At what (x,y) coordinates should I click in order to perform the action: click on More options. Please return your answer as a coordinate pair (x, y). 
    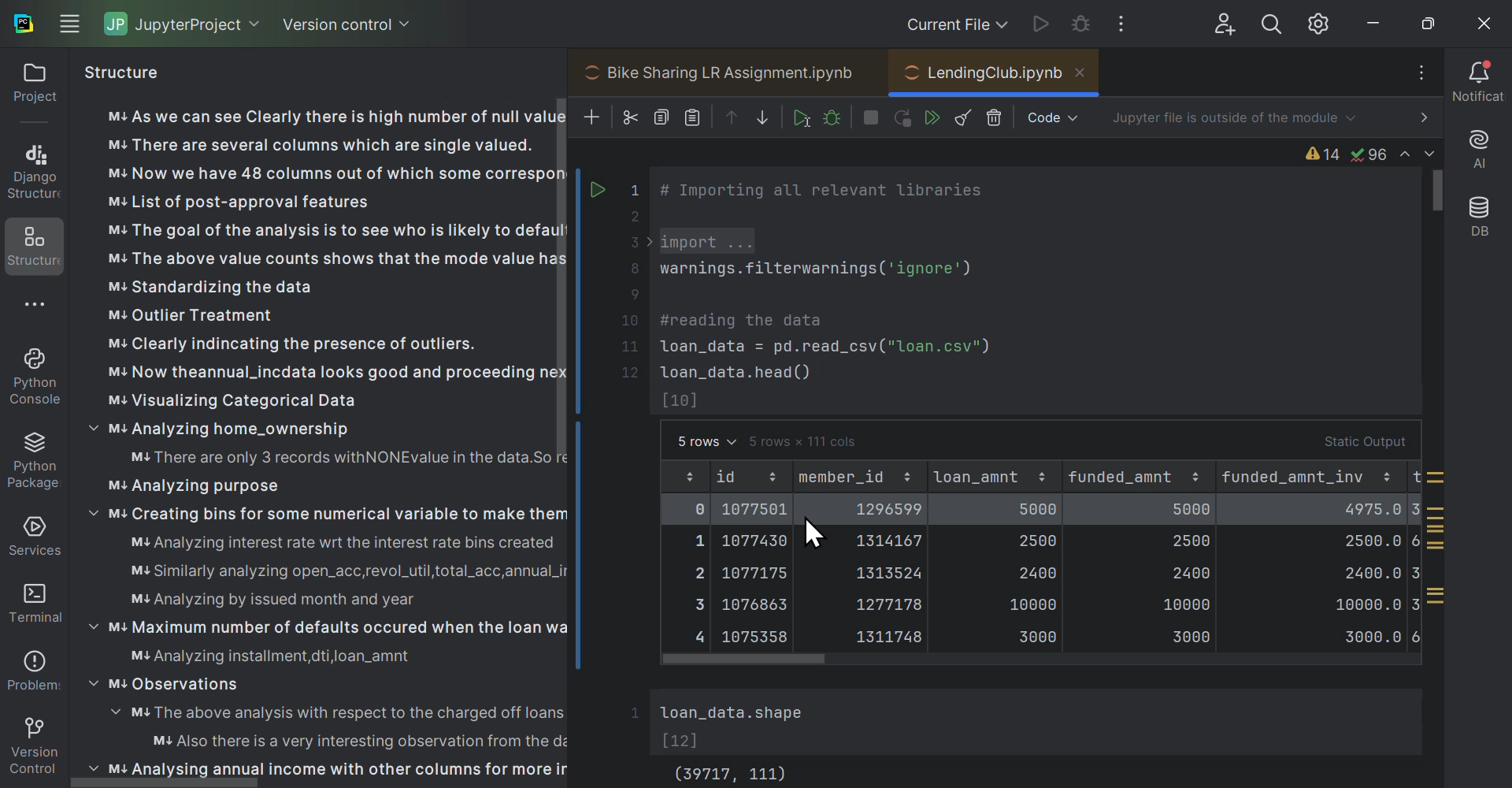
    Looking at the image, I should click on (1419, 79).